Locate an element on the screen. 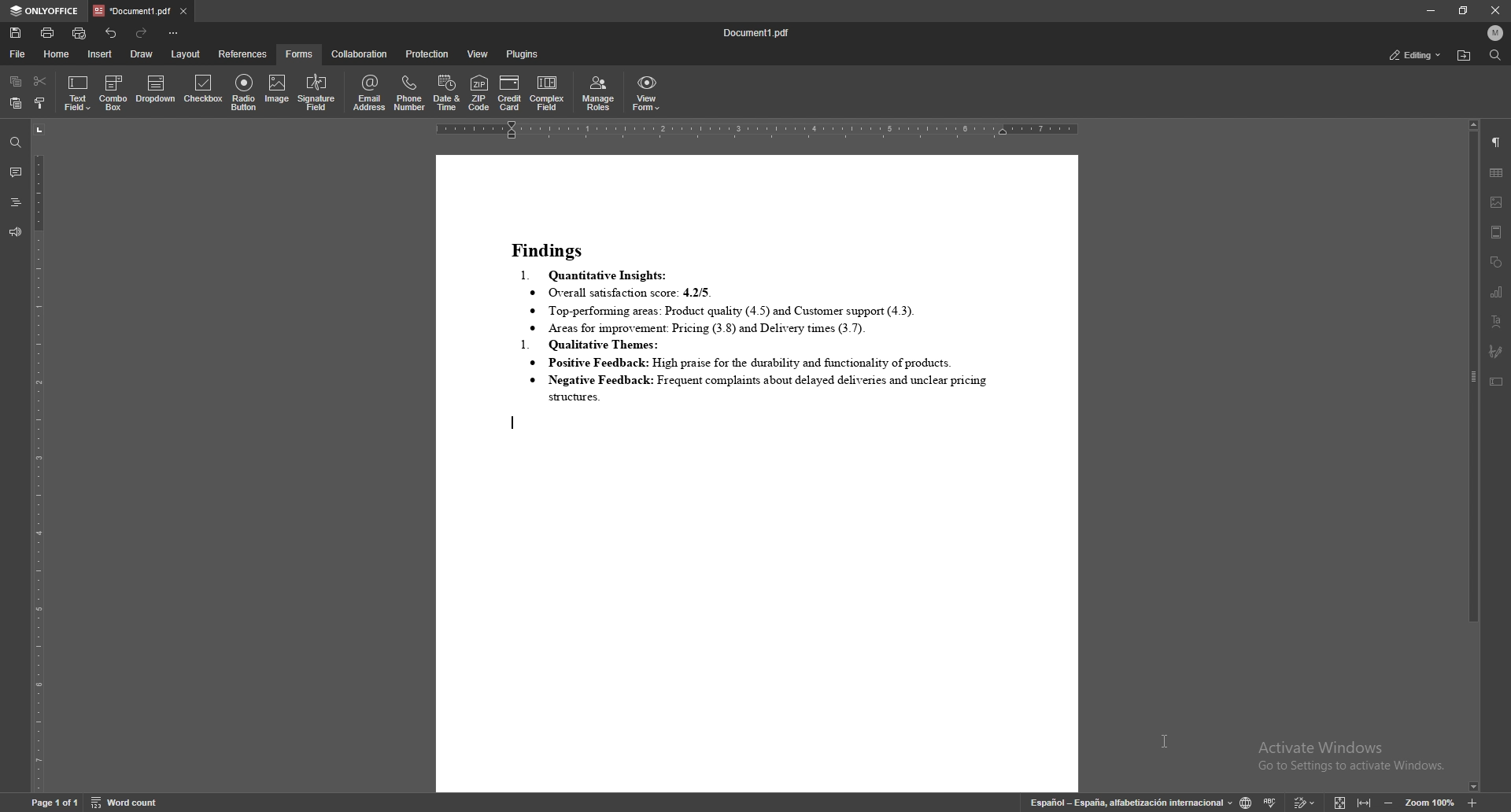  undo is located at coordinates (112, 33).